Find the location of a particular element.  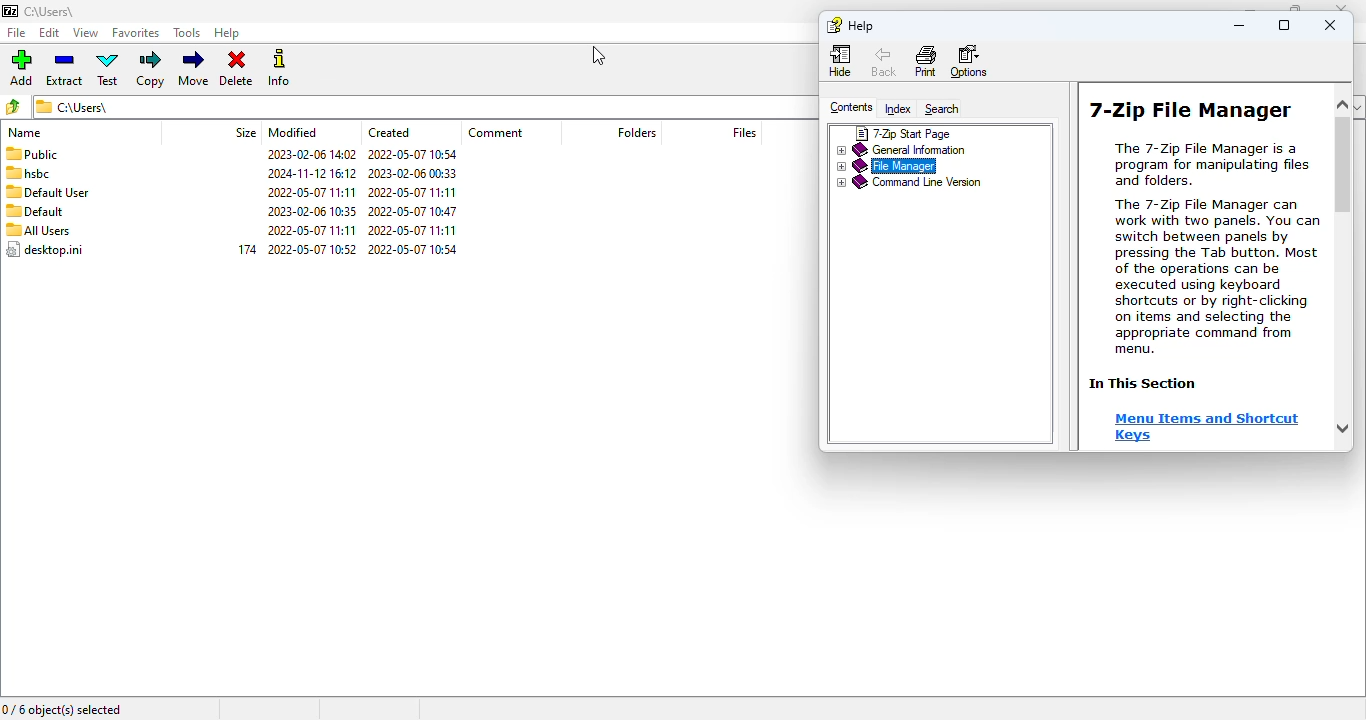

test is located at coordinates (108, 68).